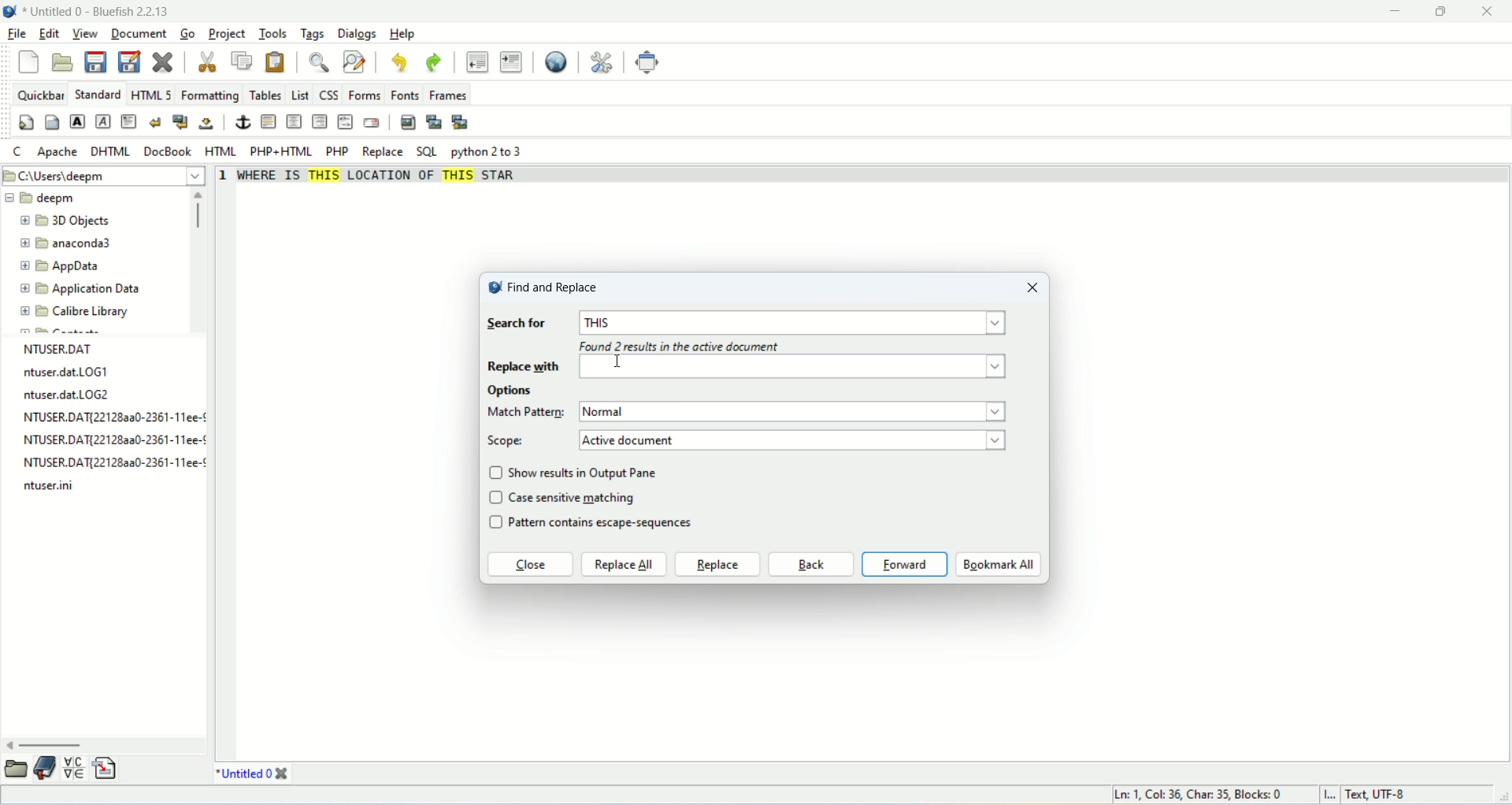 This screenshot has width=1512, height=805. What do you see at coordinates (223, 151) in the screenshot?
I see `HTML` at bounding box center [223, 151].